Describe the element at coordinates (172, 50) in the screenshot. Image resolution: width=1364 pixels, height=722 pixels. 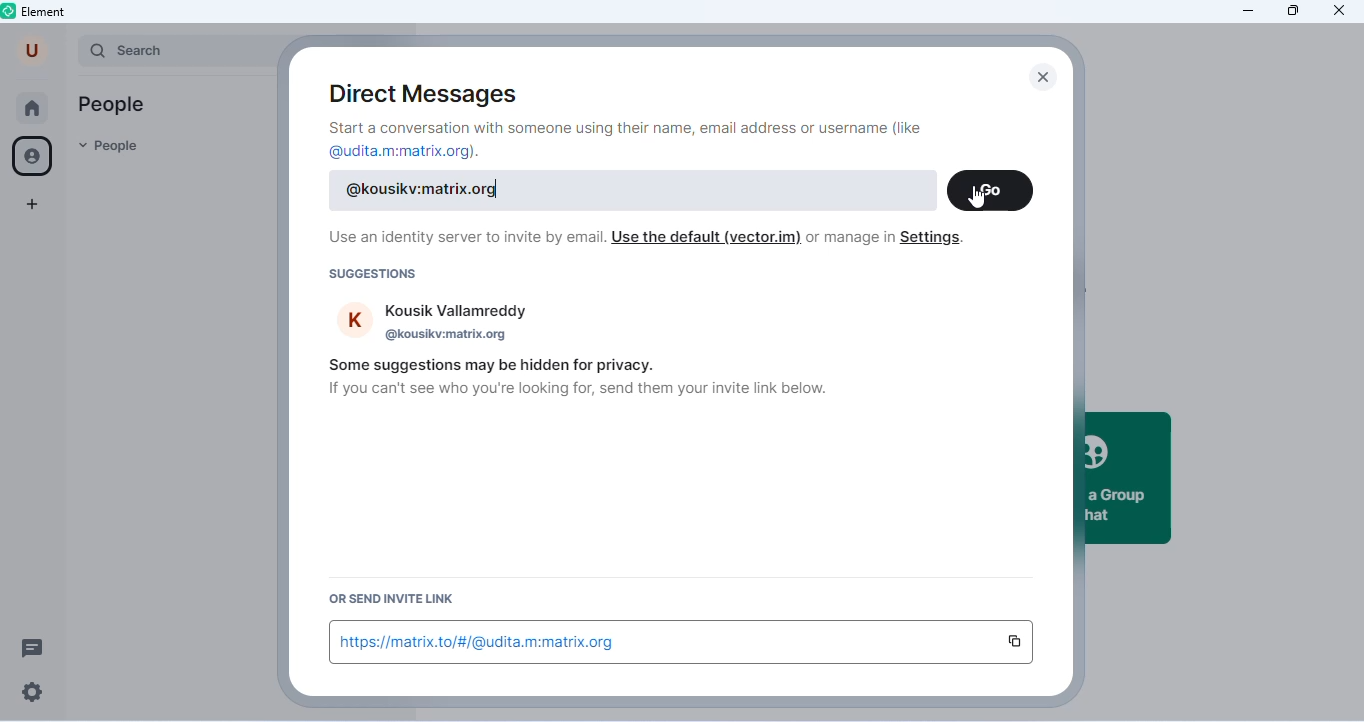
I see `search` at that location.